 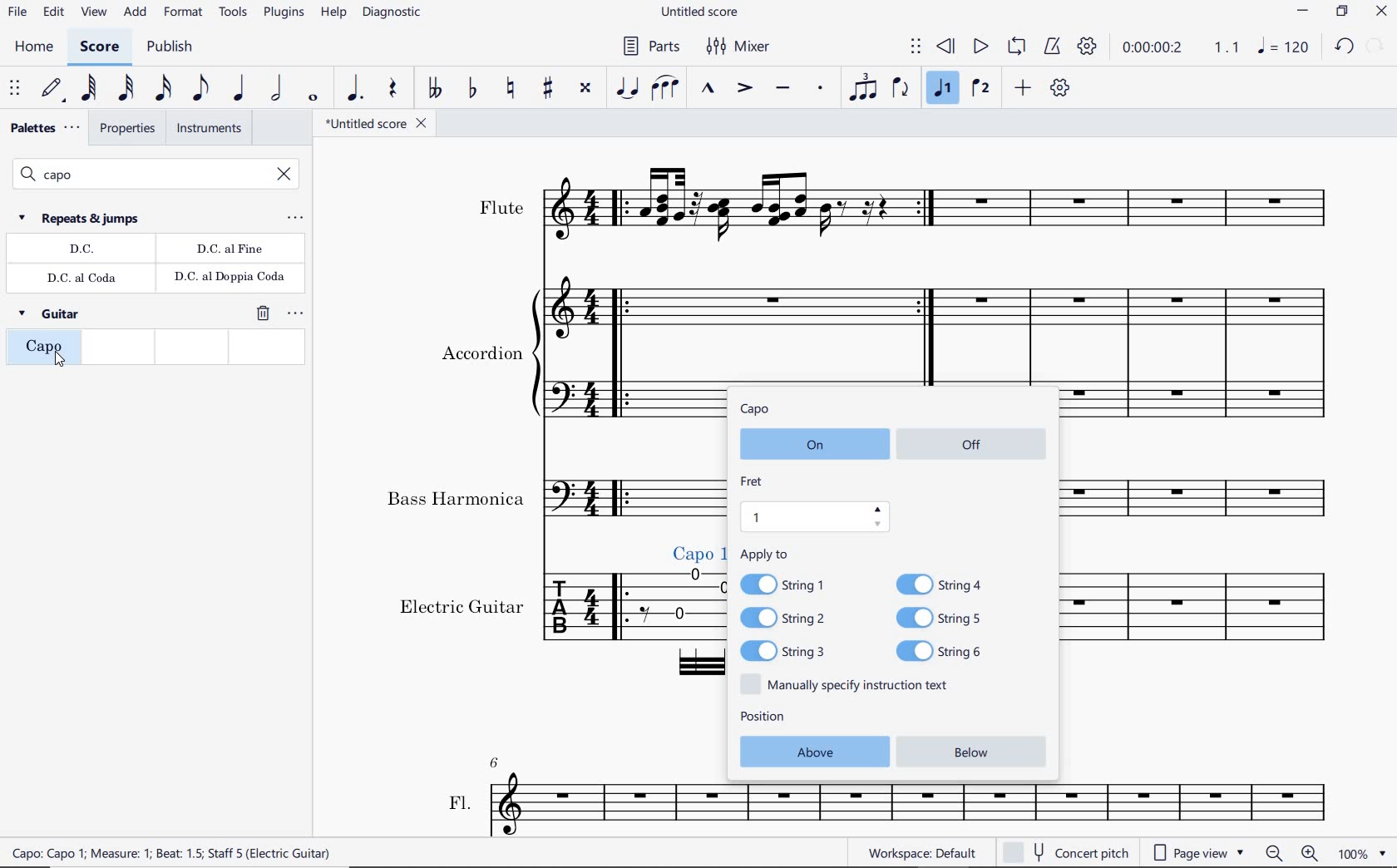 What do you see at coordinates (170, 47) in the screenshot?
I see `publish` at bounding box center [170, 47].